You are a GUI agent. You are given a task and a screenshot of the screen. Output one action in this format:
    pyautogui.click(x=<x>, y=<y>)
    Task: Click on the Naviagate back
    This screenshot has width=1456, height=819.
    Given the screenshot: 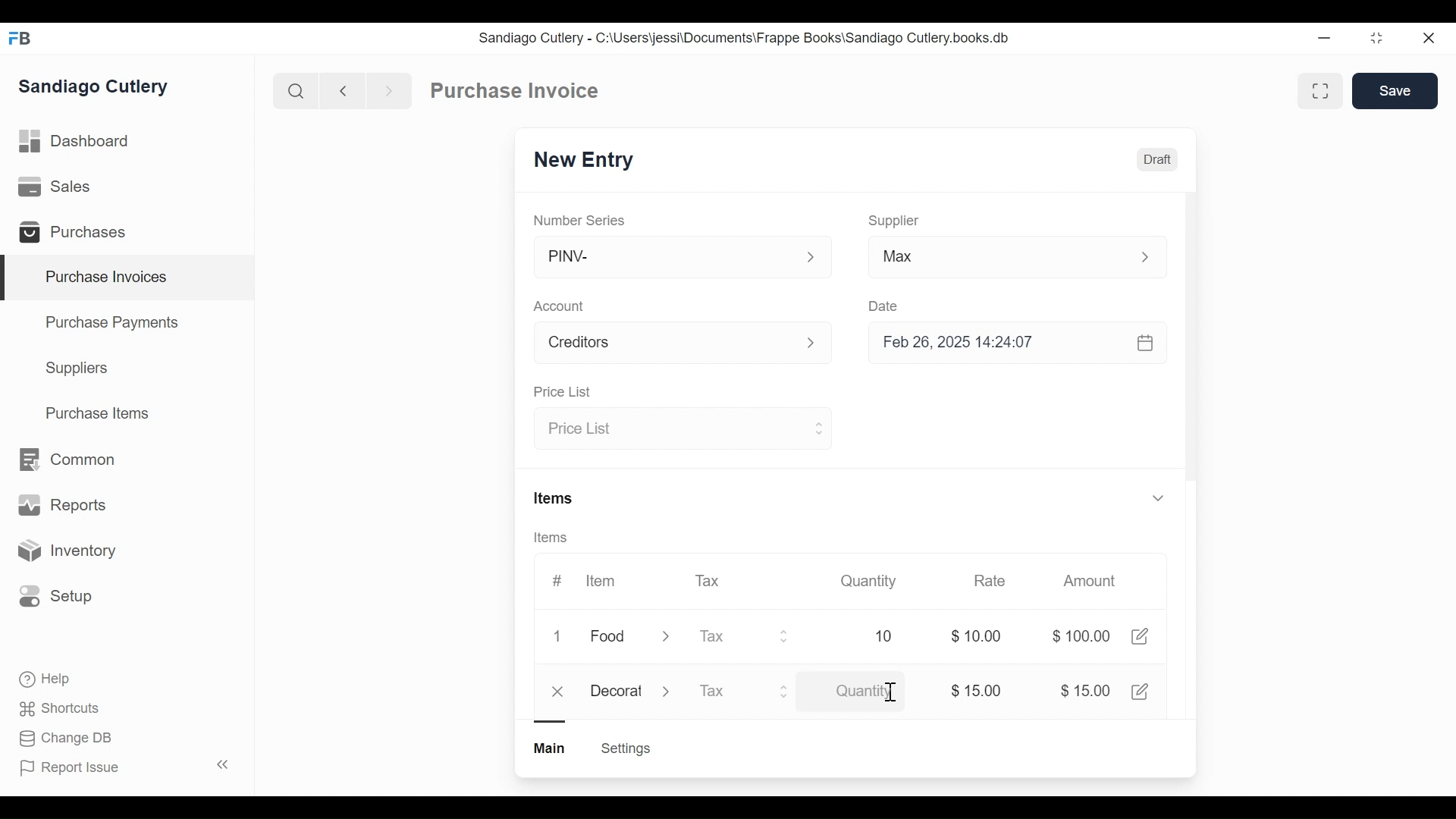 What is the action you would take?
    pyautogui.click(x=344, y=89)
    